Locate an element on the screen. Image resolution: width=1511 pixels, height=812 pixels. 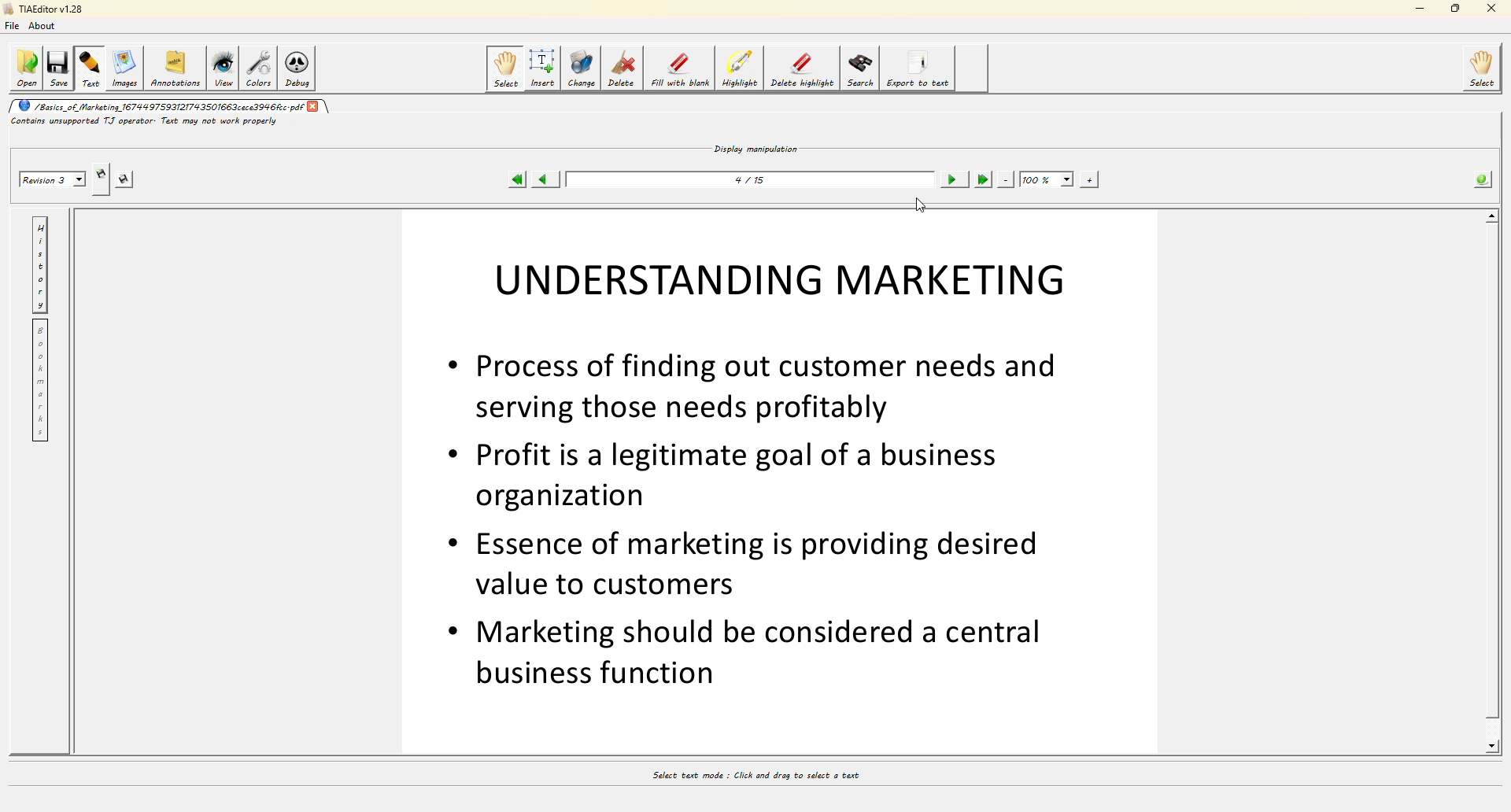
images is located at coordinates (125, 70).